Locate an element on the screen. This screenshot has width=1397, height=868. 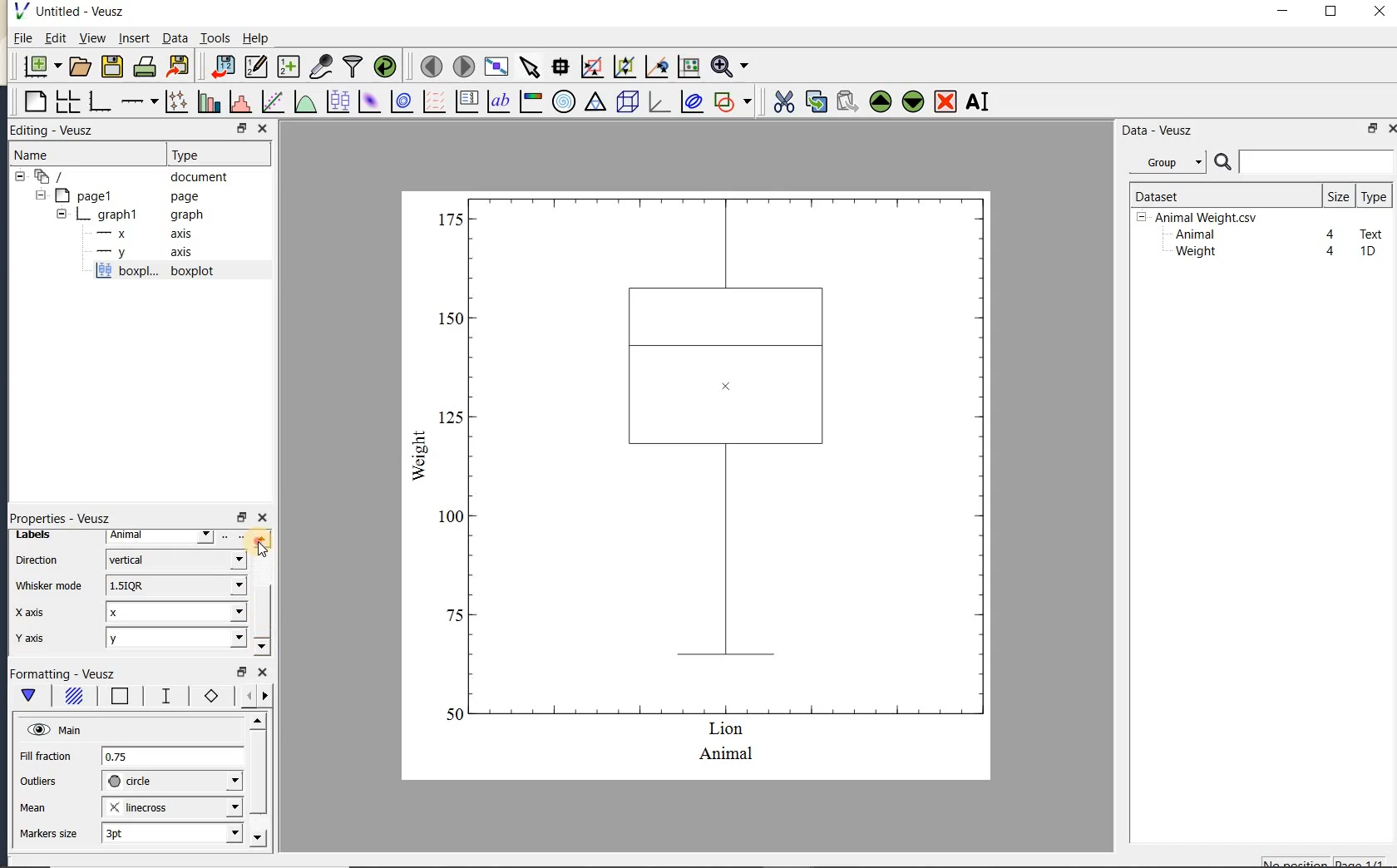
1D is located at coordinates (1367, 251).